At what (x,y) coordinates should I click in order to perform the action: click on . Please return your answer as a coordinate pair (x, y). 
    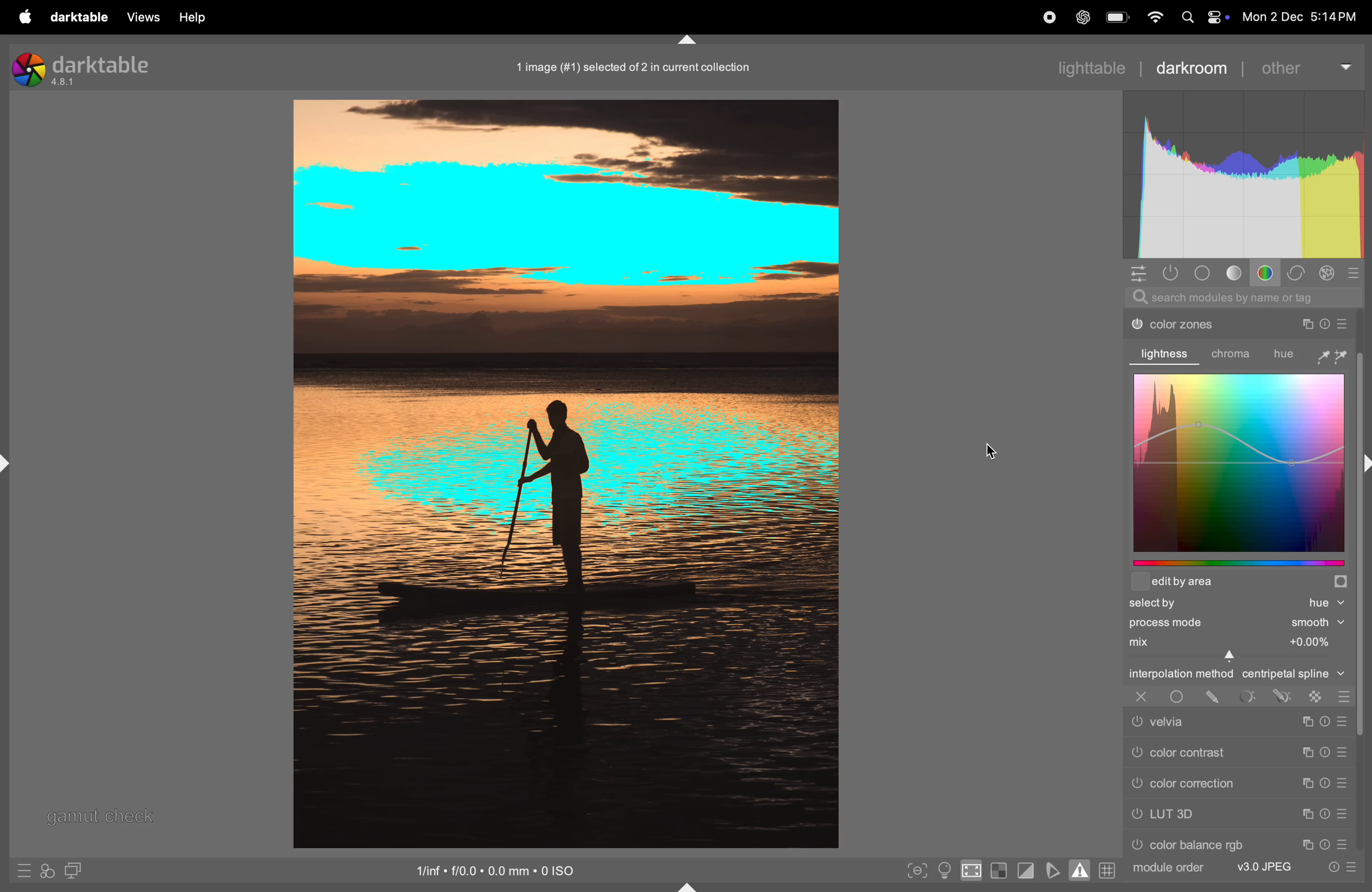
    Looking at the image, I should click on (1171, 271).